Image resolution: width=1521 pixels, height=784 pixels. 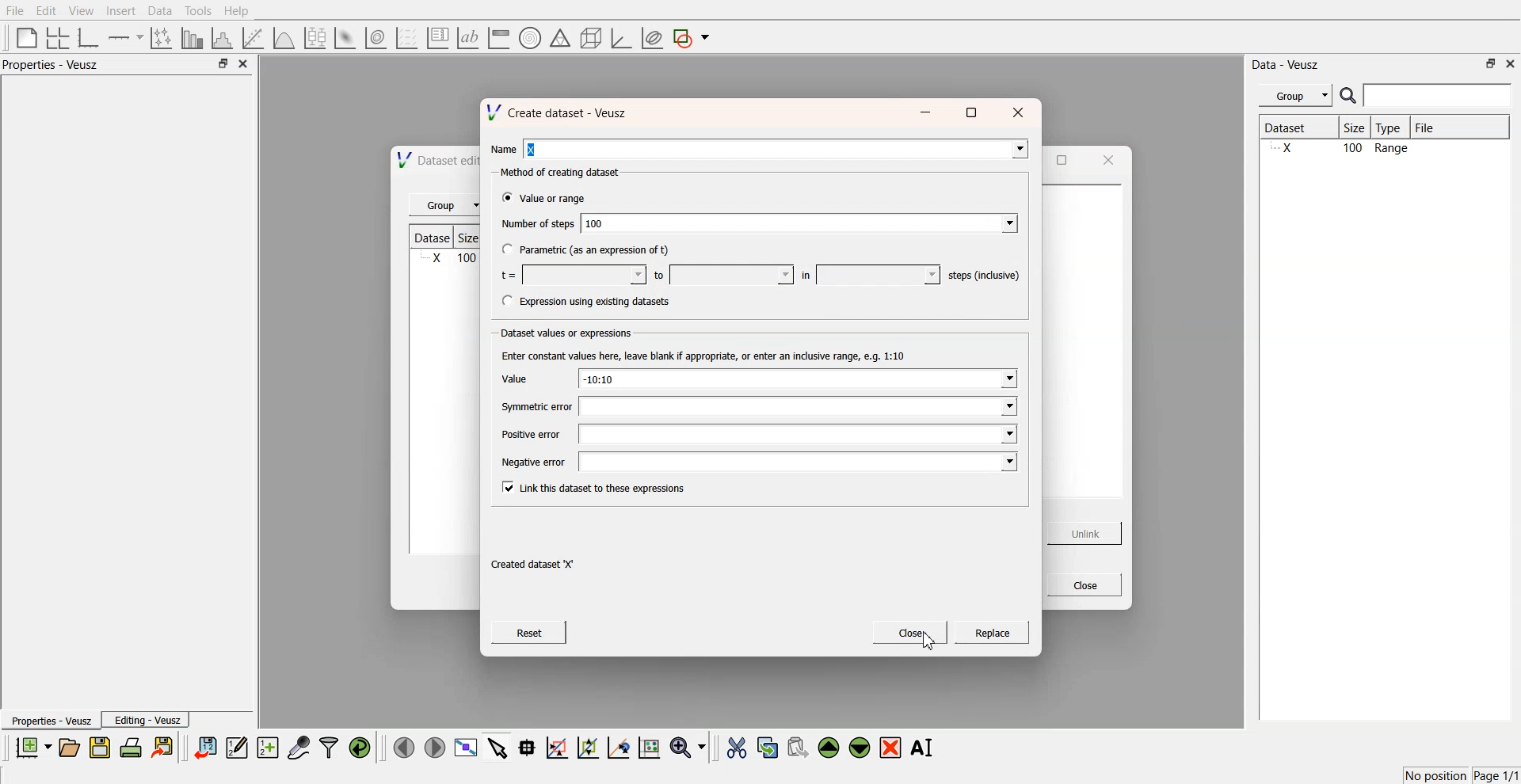 What do you see at coordinates (237, 749) in the screenshot?
I see `edit and enter data points` at bounding box center [237, 749].